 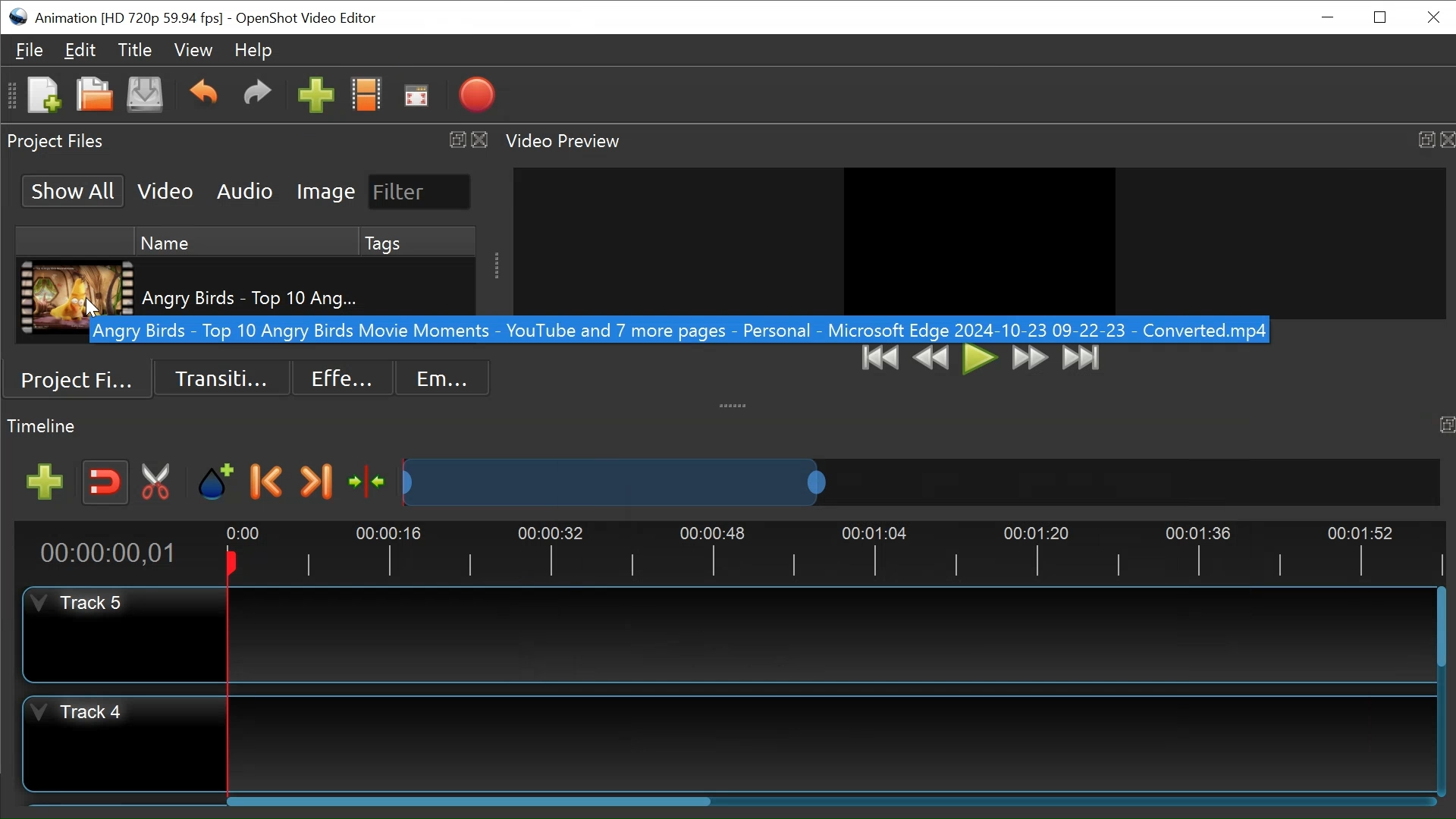 I want to click on Add Marker, so click(x=217, y=482).